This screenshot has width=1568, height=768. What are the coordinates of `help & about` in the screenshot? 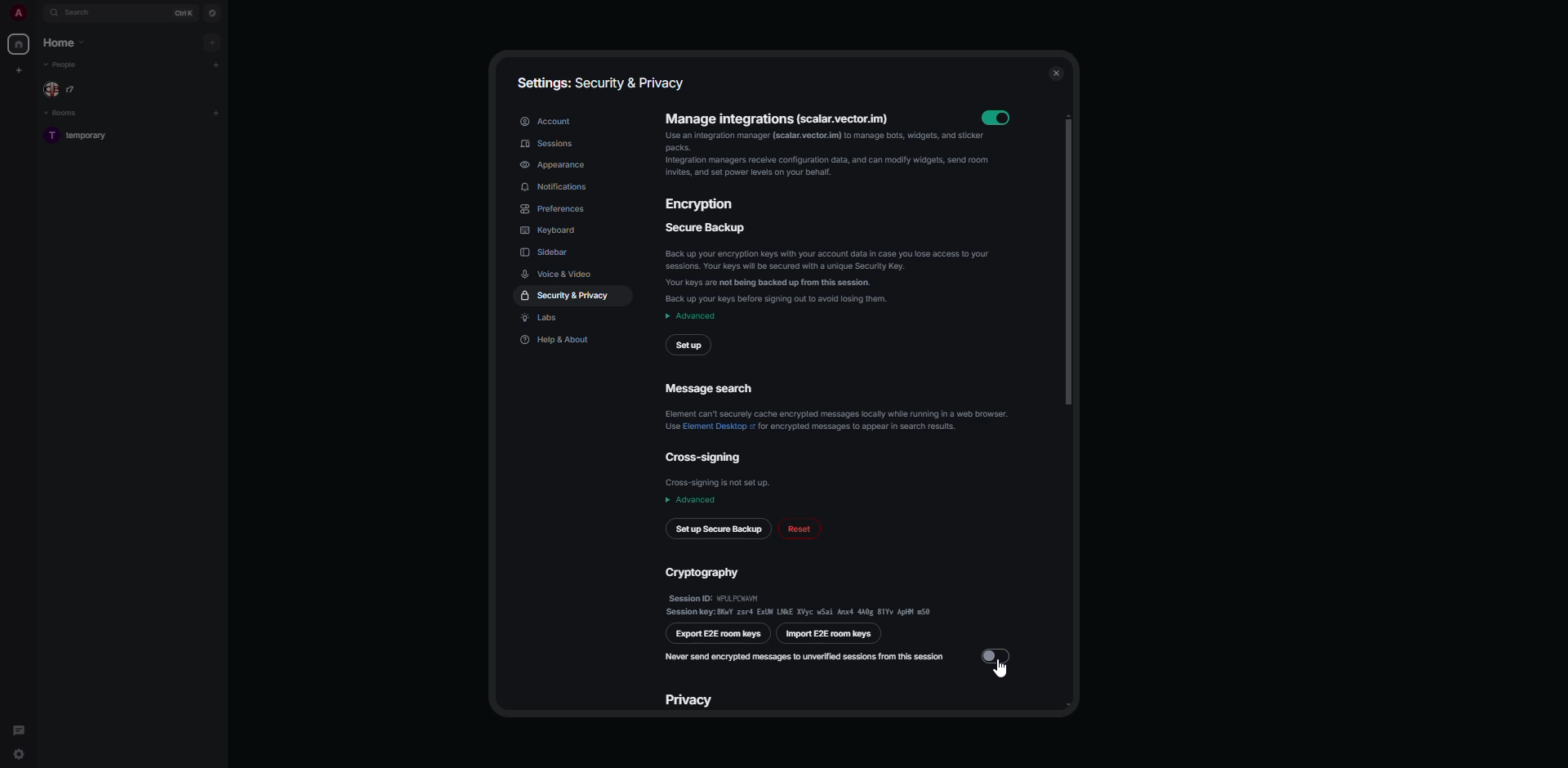 It's located at (559, 340).